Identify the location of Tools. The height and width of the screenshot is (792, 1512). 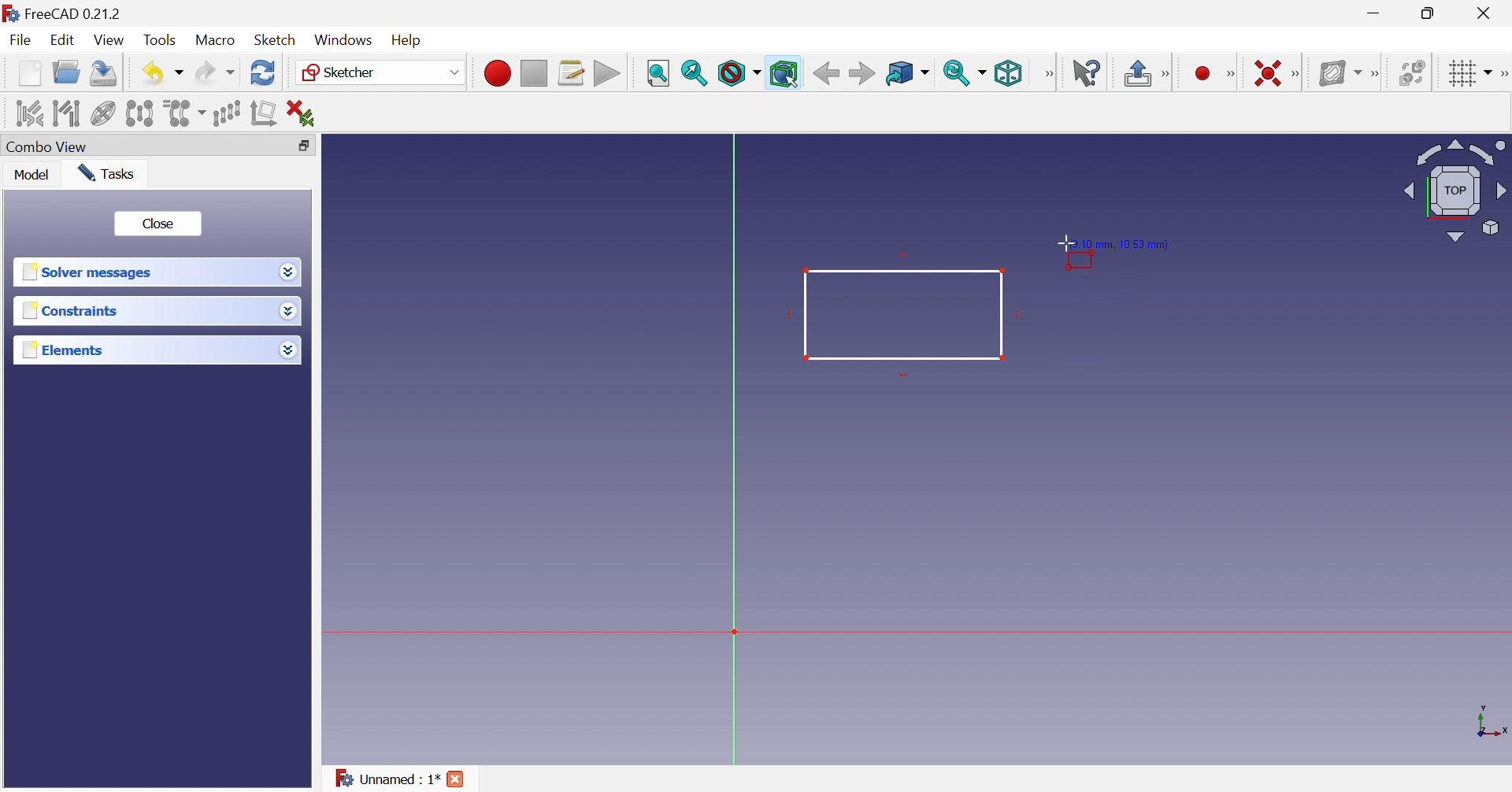
(159, 41).